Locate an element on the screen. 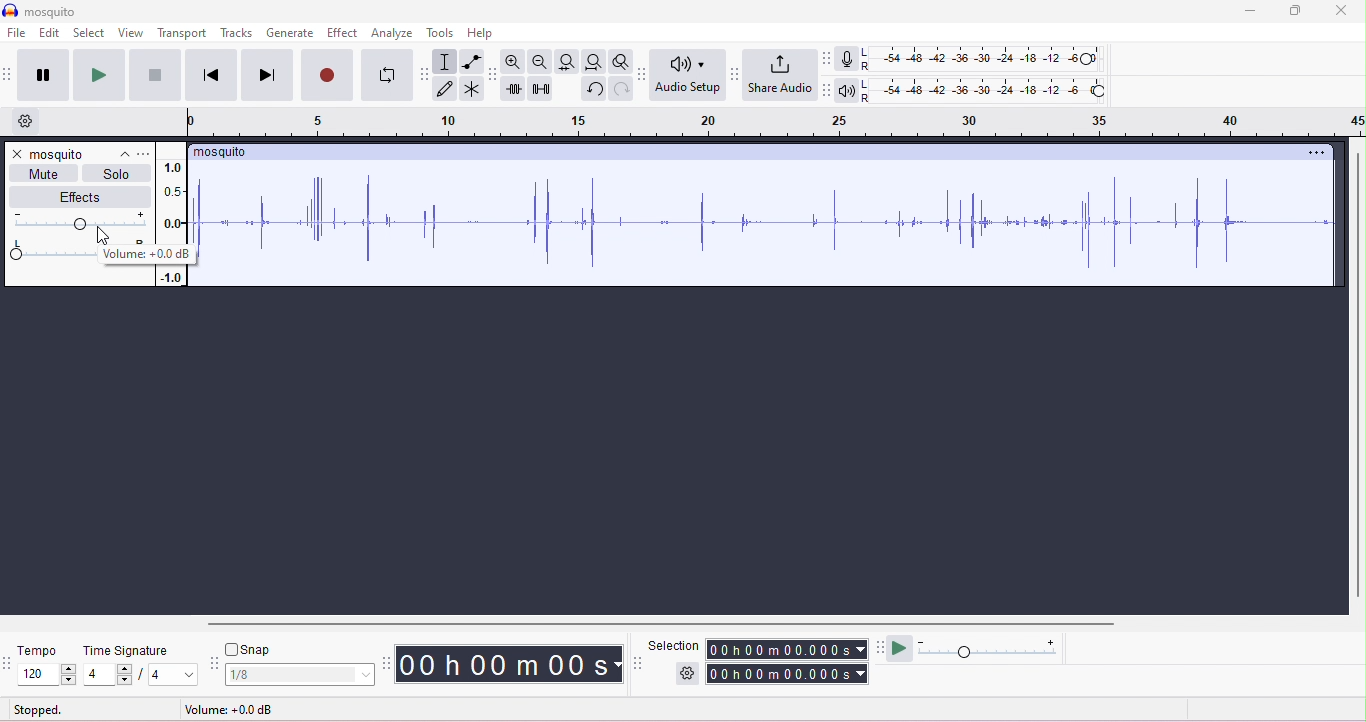 The height and width of the screenshot is (722, 1366). volume +0.0db is located at coordinates (228, 710).